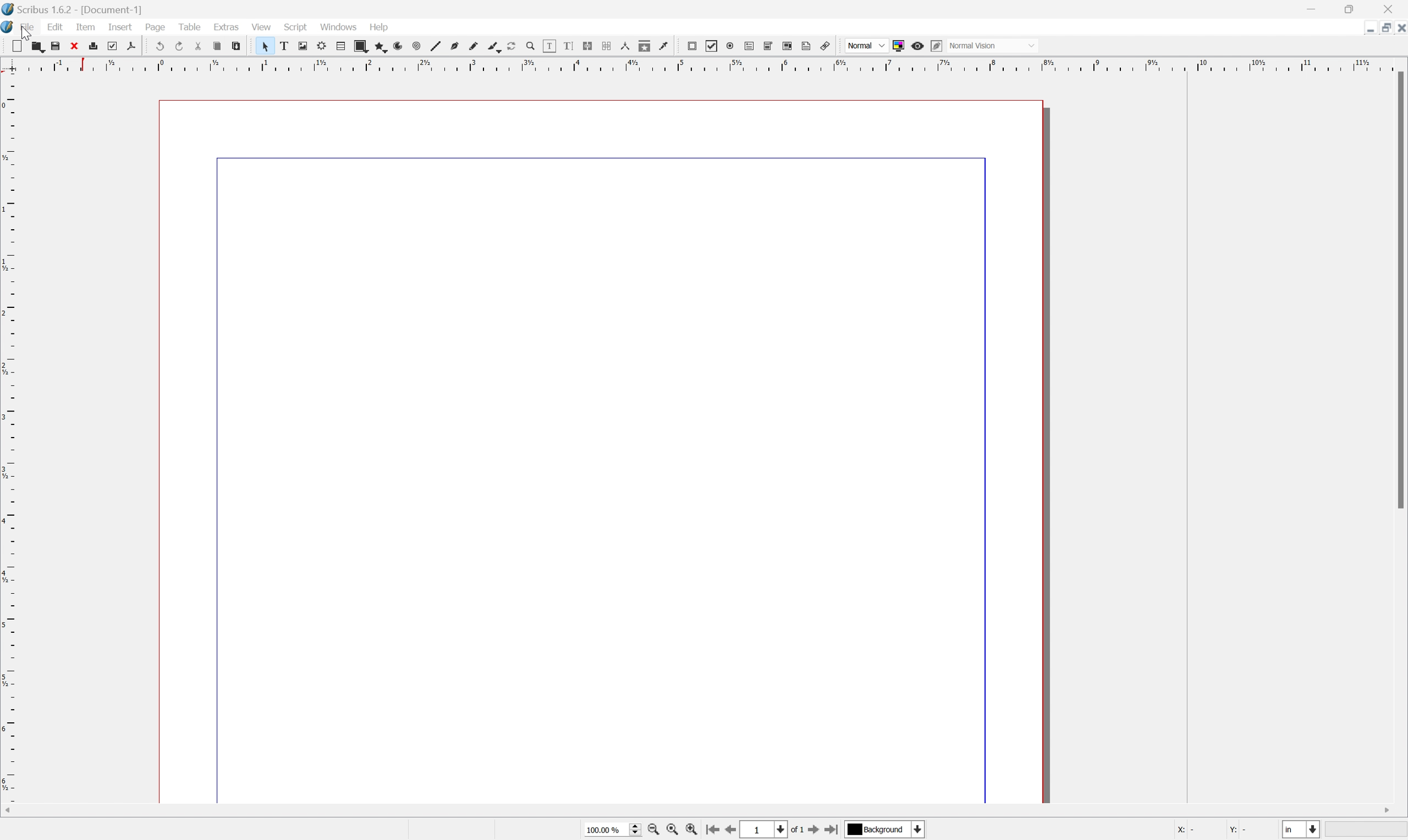 Image resolution: width=1408 pixels, height=840 pixels. What do you see at coordinates (665, 46) in the screenshot?
I see `Eye dropper` at bounding box center [665, 46].